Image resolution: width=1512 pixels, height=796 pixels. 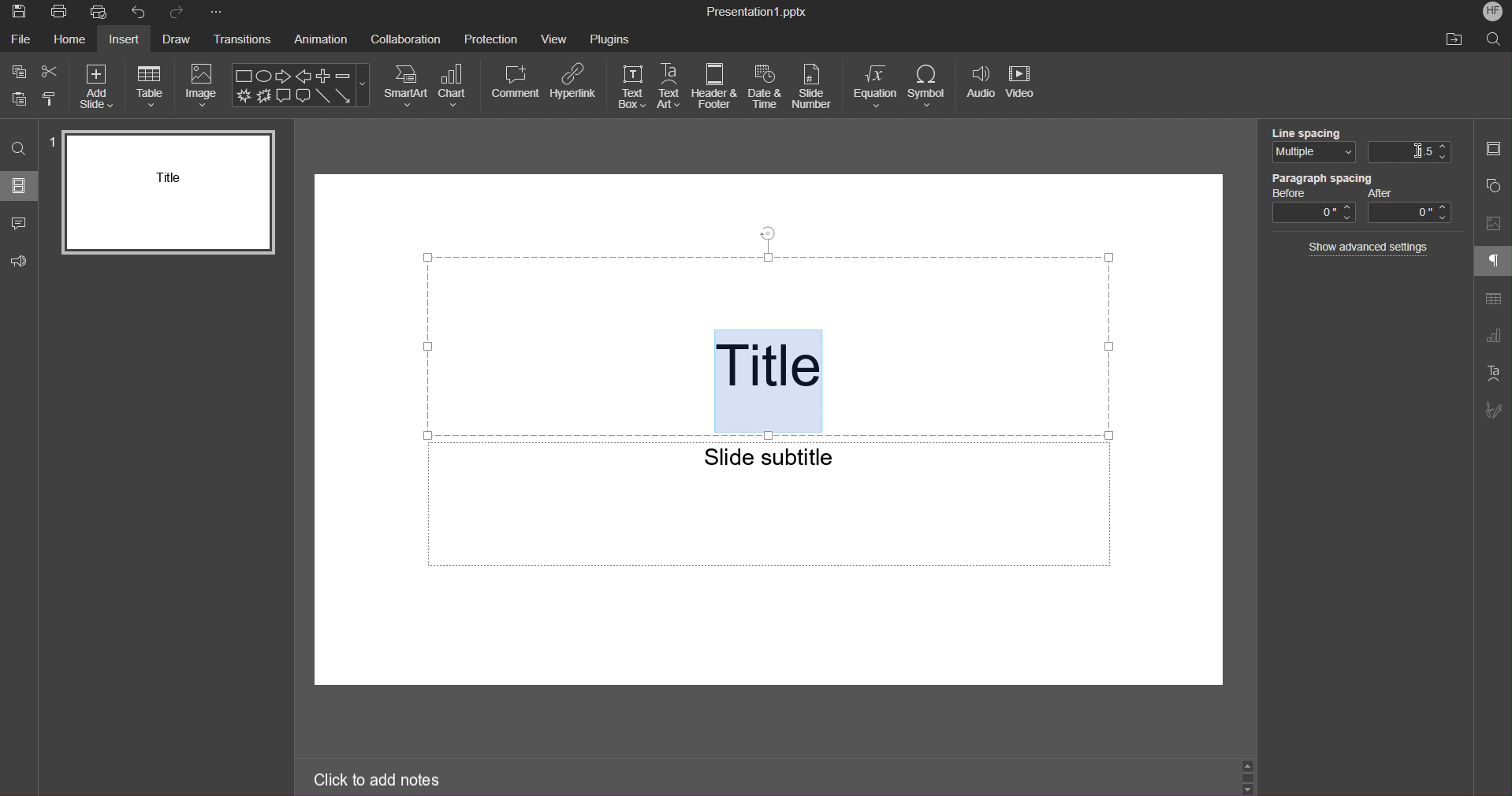 I want to click on Title, so click(x=773, y=381).